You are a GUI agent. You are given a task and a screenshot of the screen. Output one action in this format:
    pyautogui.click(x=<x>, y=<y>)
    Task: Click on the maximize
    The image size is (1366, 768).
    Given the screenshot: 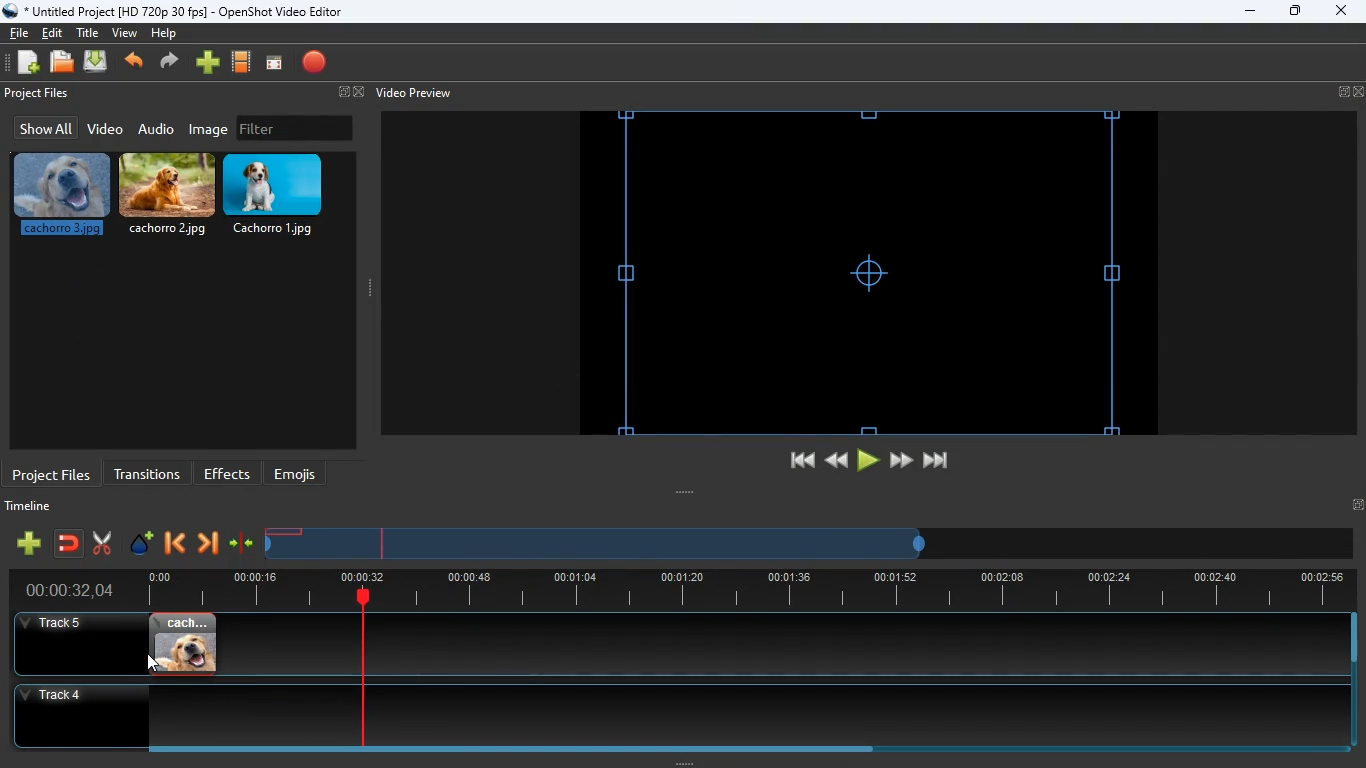 What is the action you would take?
    pyautogui.click(x=1296, y=13)
    